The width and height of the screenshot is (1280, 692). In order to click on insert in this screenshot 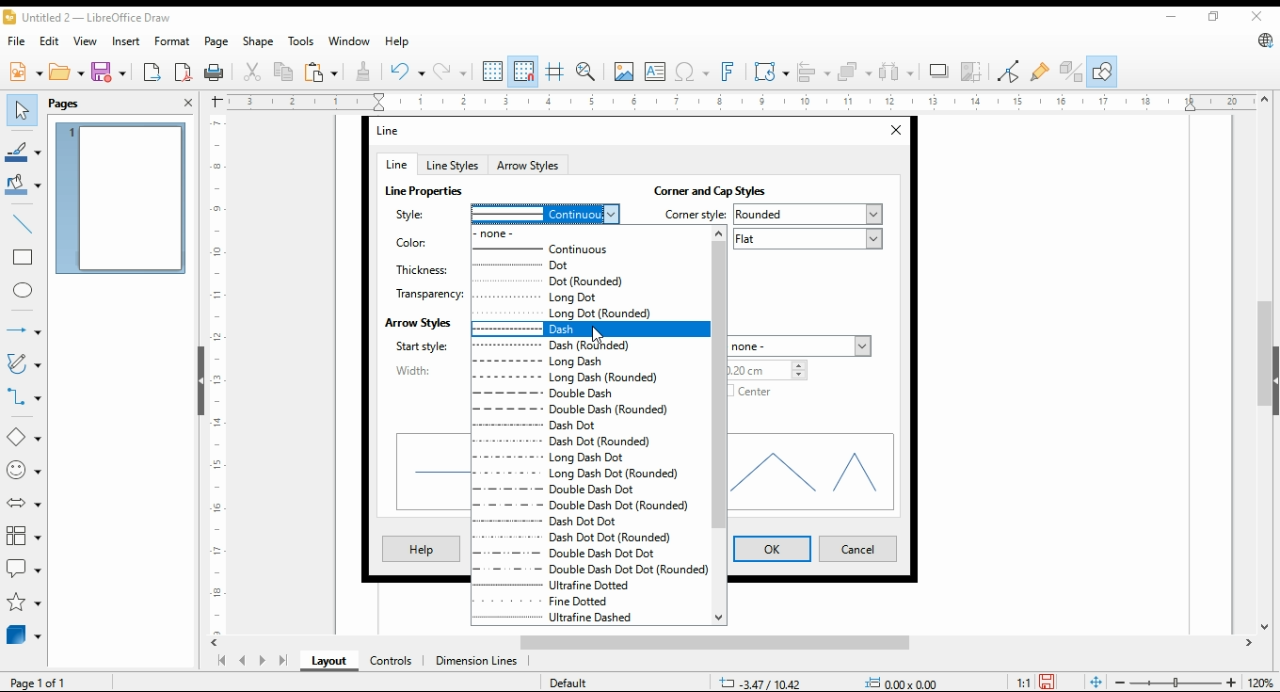, I will do `click(126, 40)`.